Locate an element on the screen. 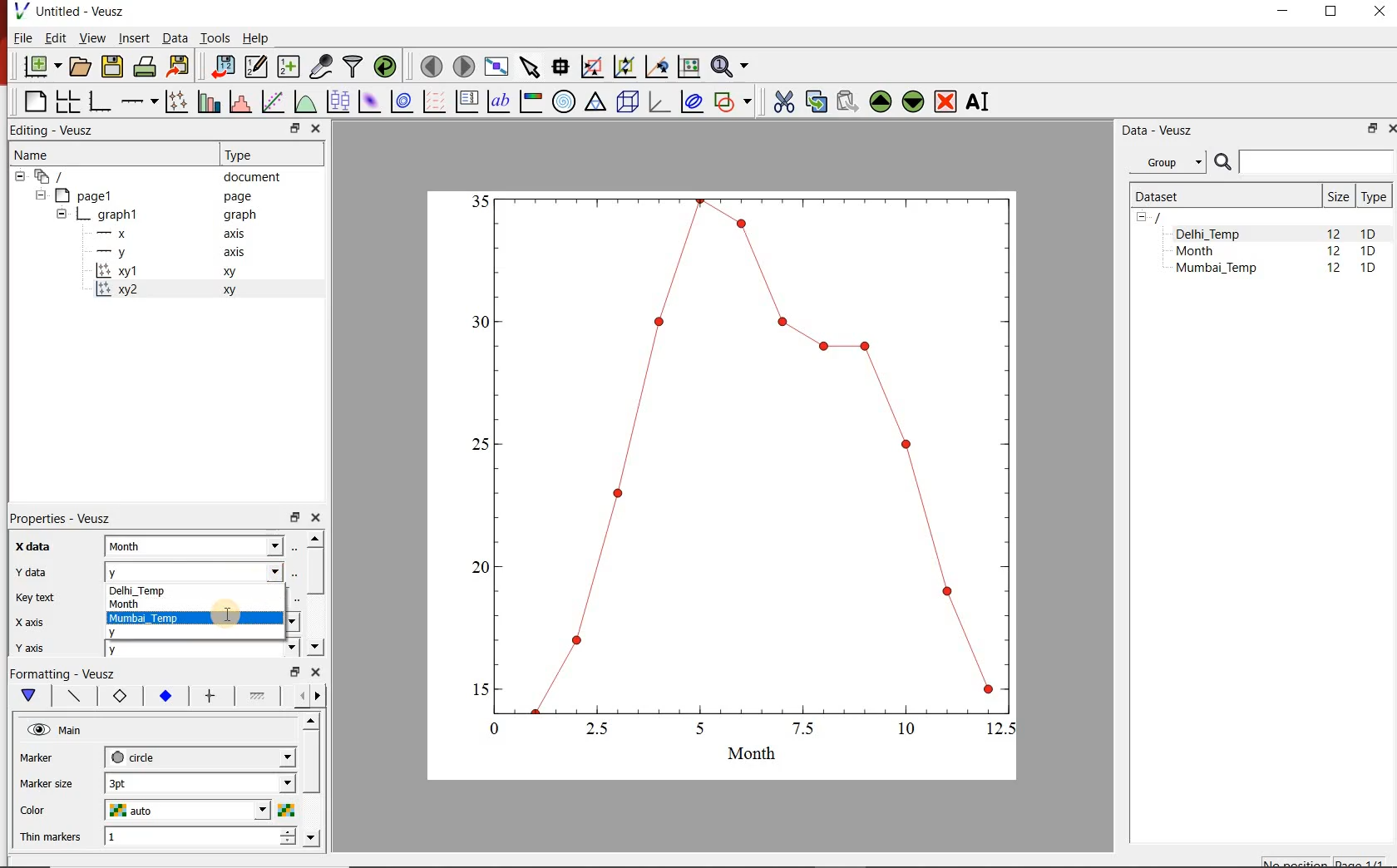  cut the selected widget is located at coordinates (783, 101).